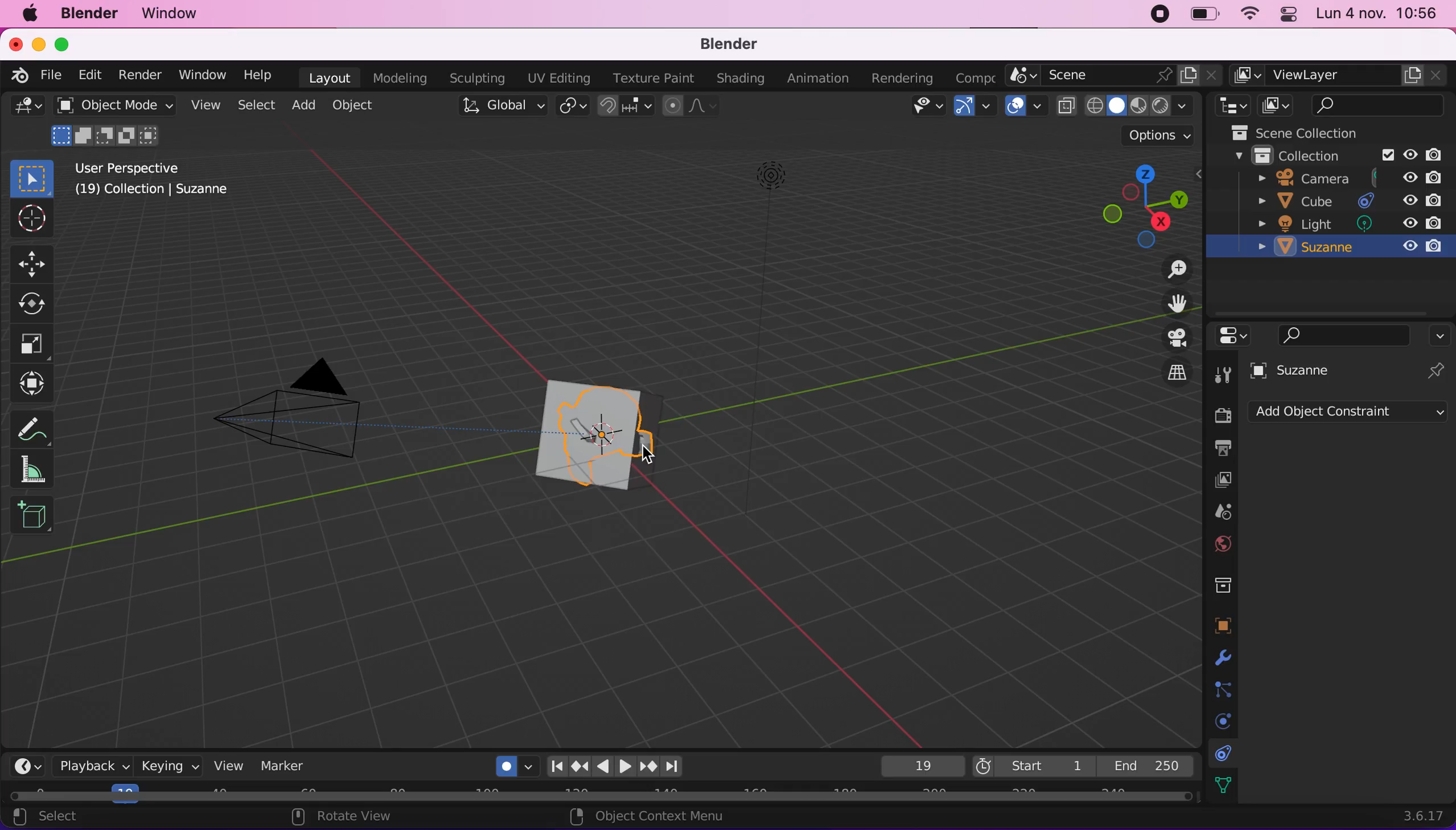 The image size is (1456, 830). Describe the element at coordinates (623, 106) in the screenshot. I see `snapping` at that location.